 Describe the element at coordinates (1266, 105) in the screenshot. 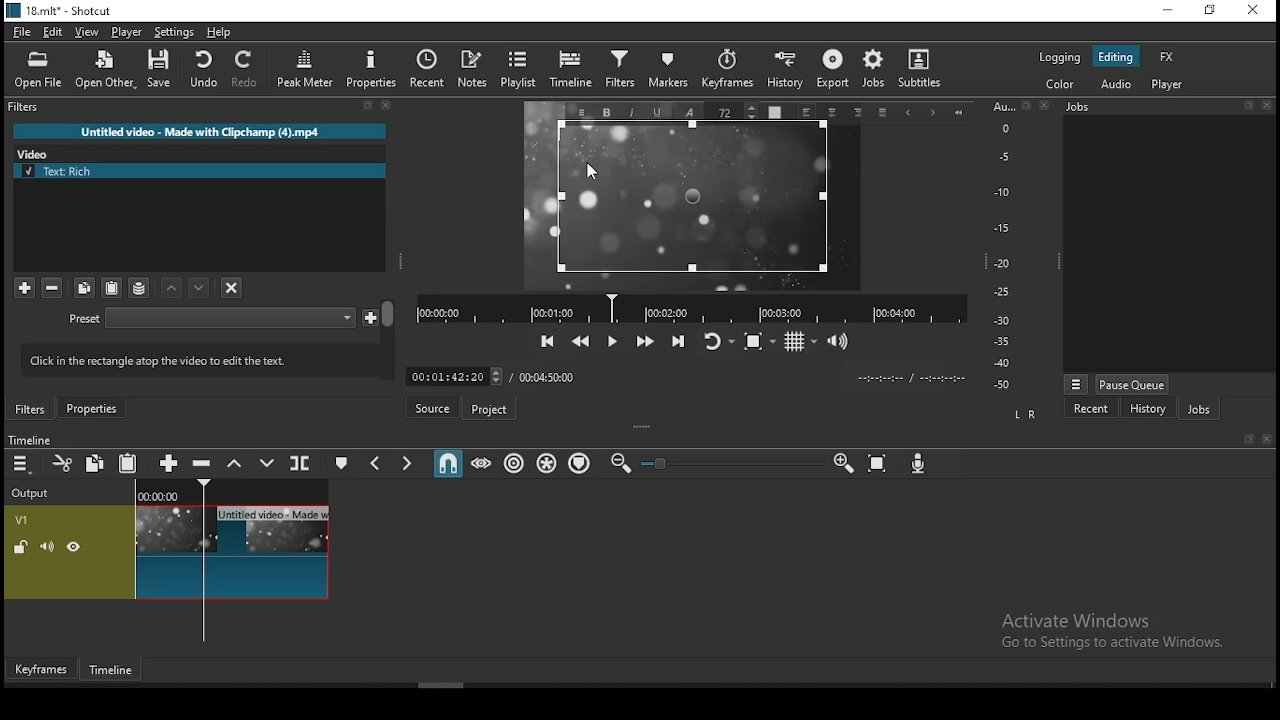

I see `Close` at that location.